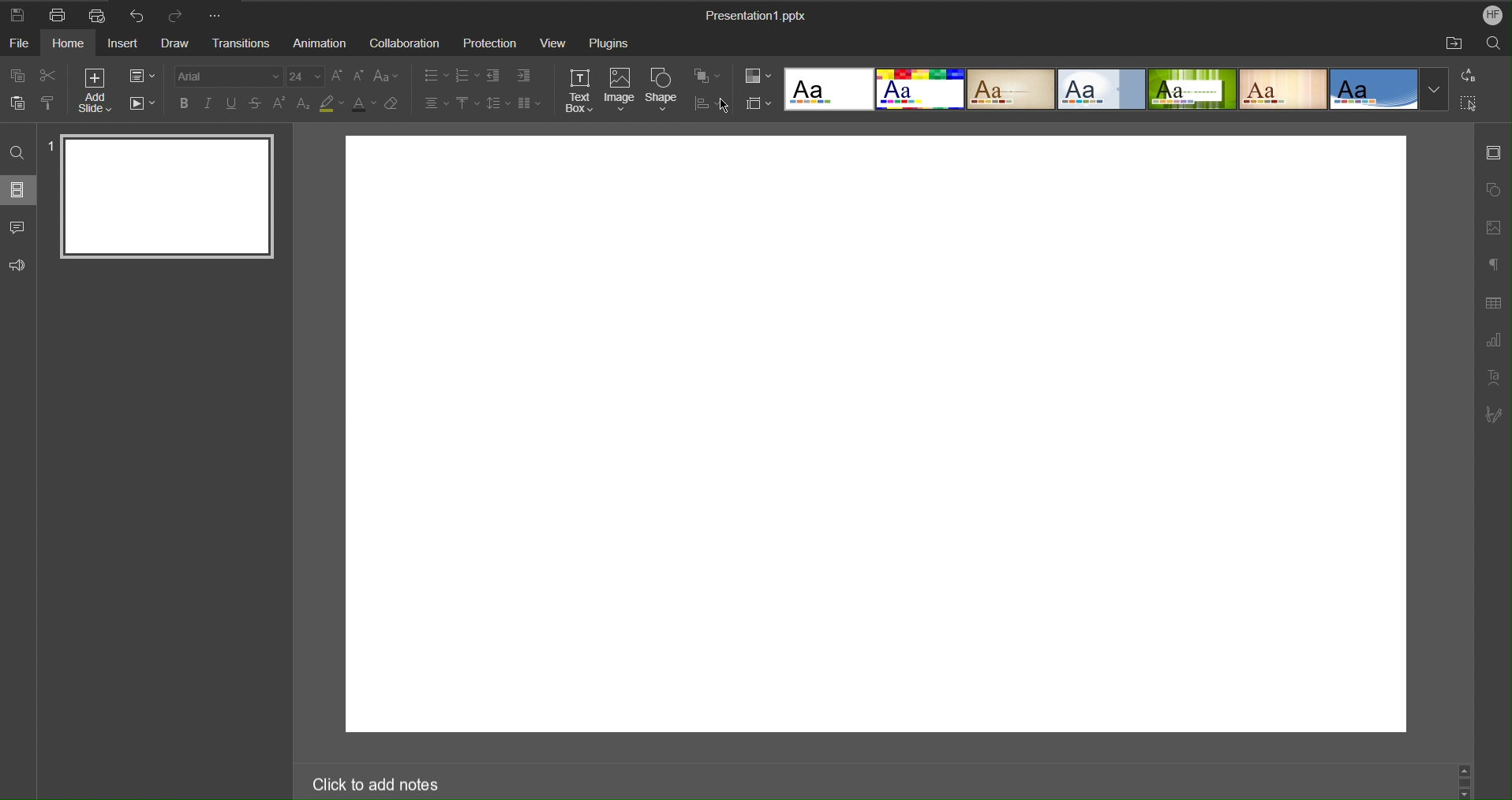  What do you see at coordinates (1493, 342) in the screenshot?
I see `Graph Settings` at bounding box center [1493, 342].